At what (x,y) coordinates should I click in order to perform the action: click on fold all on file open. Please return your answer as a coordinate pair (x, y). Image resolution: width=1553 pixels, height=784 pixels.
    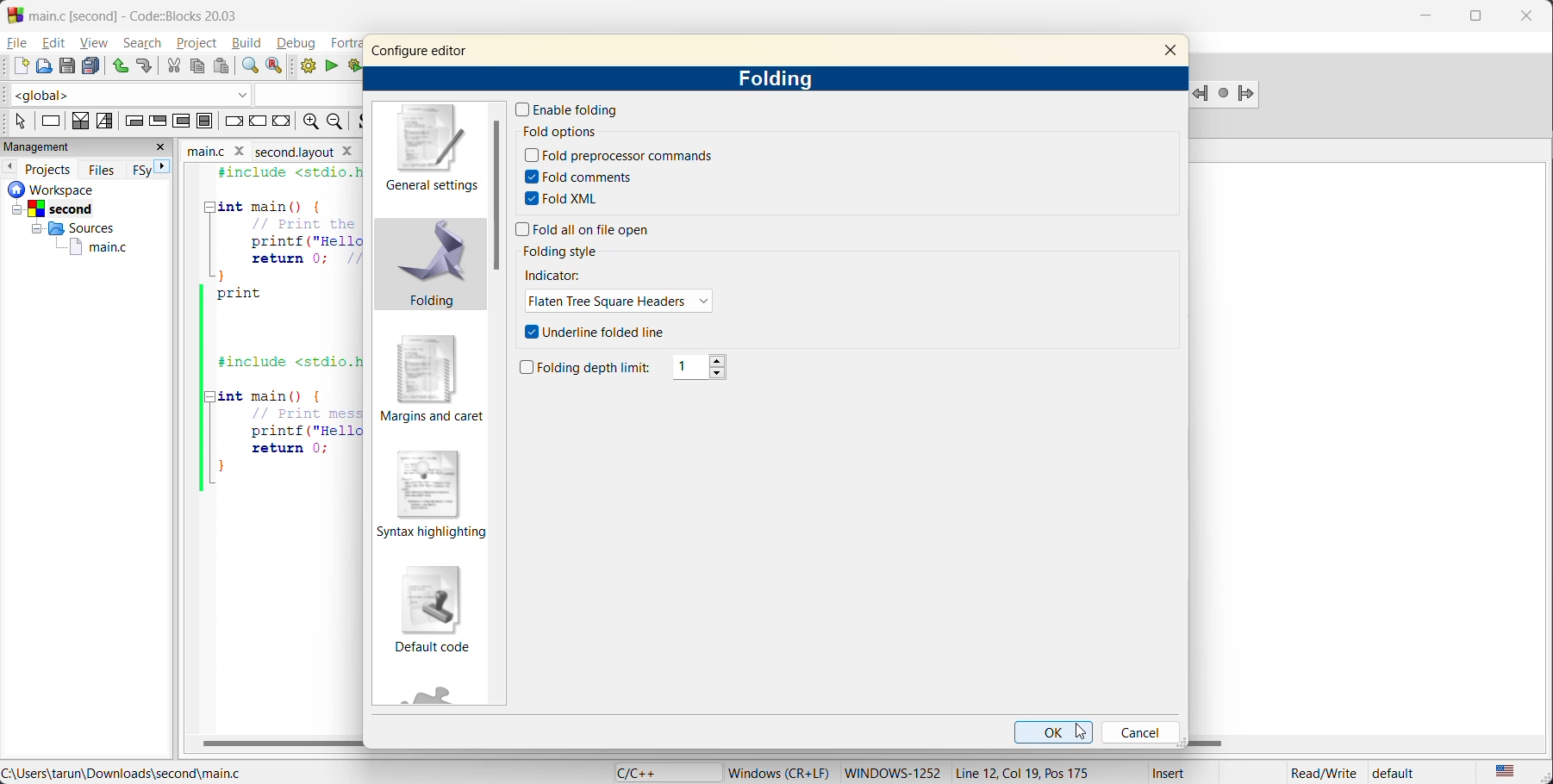
    Looking at the image, I should click on (608, 231).